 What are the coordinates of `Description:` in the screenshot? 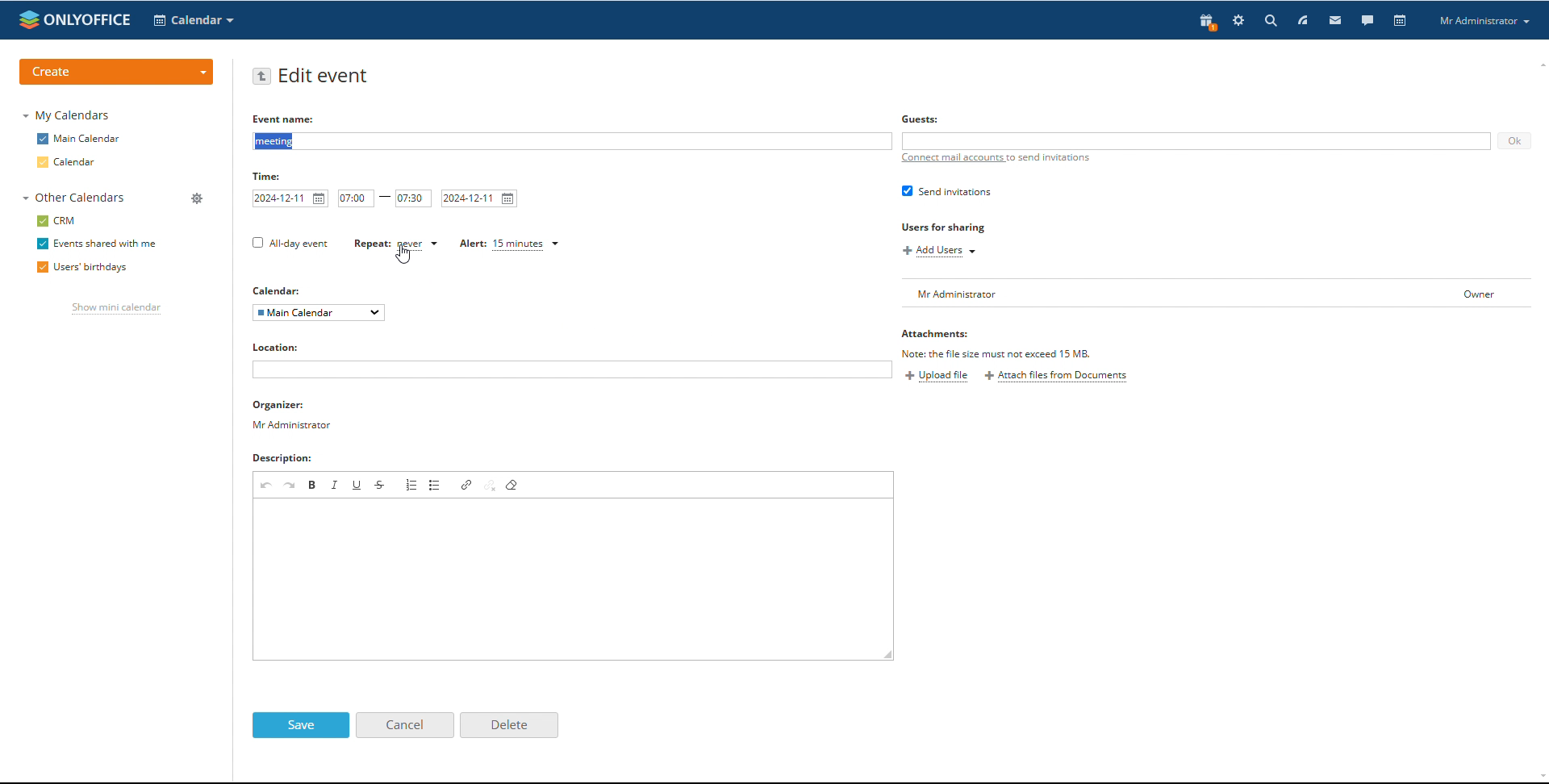 It's located at (299, 460).